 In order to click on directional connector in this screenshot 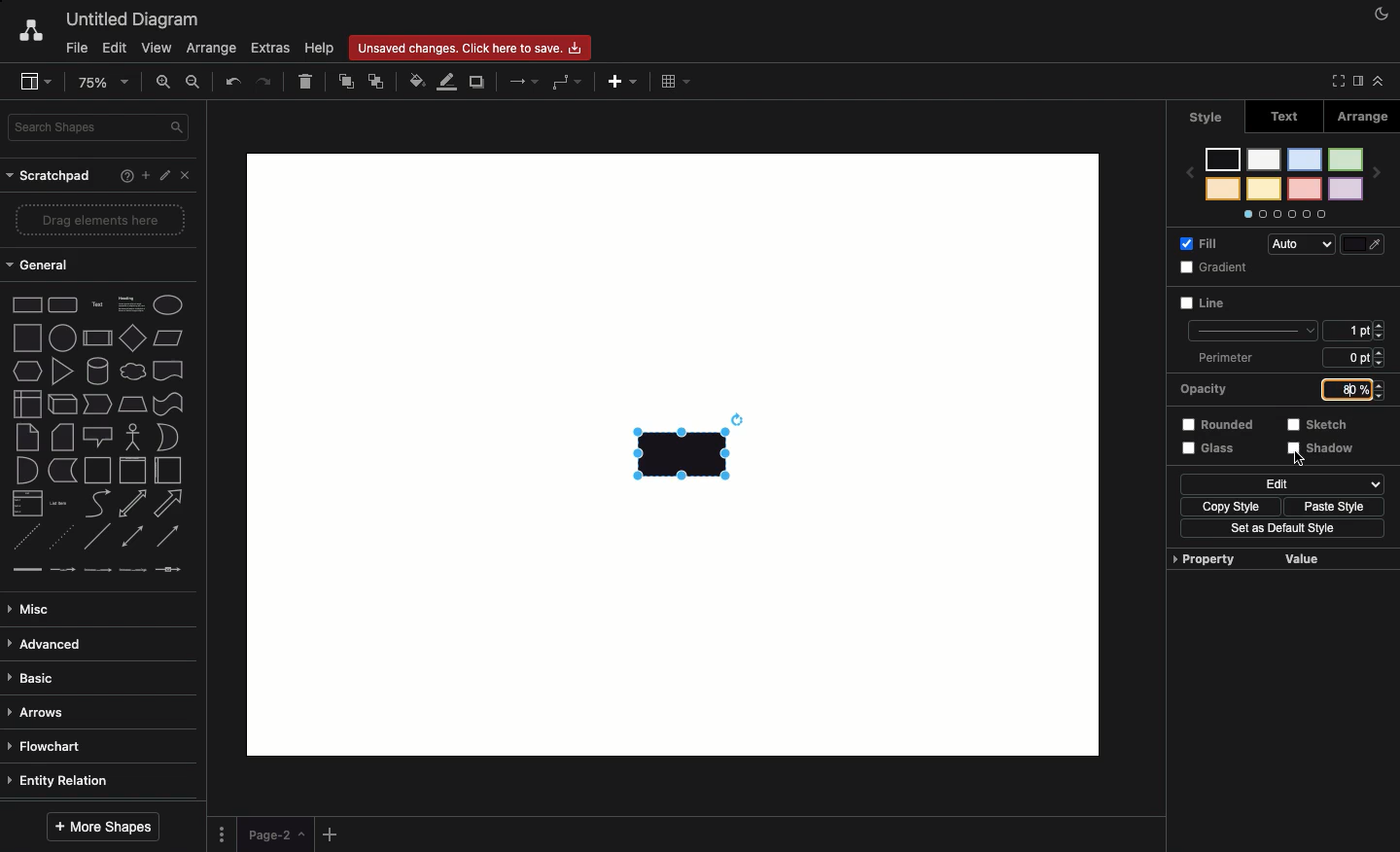, I will do `click(168, 535)`.